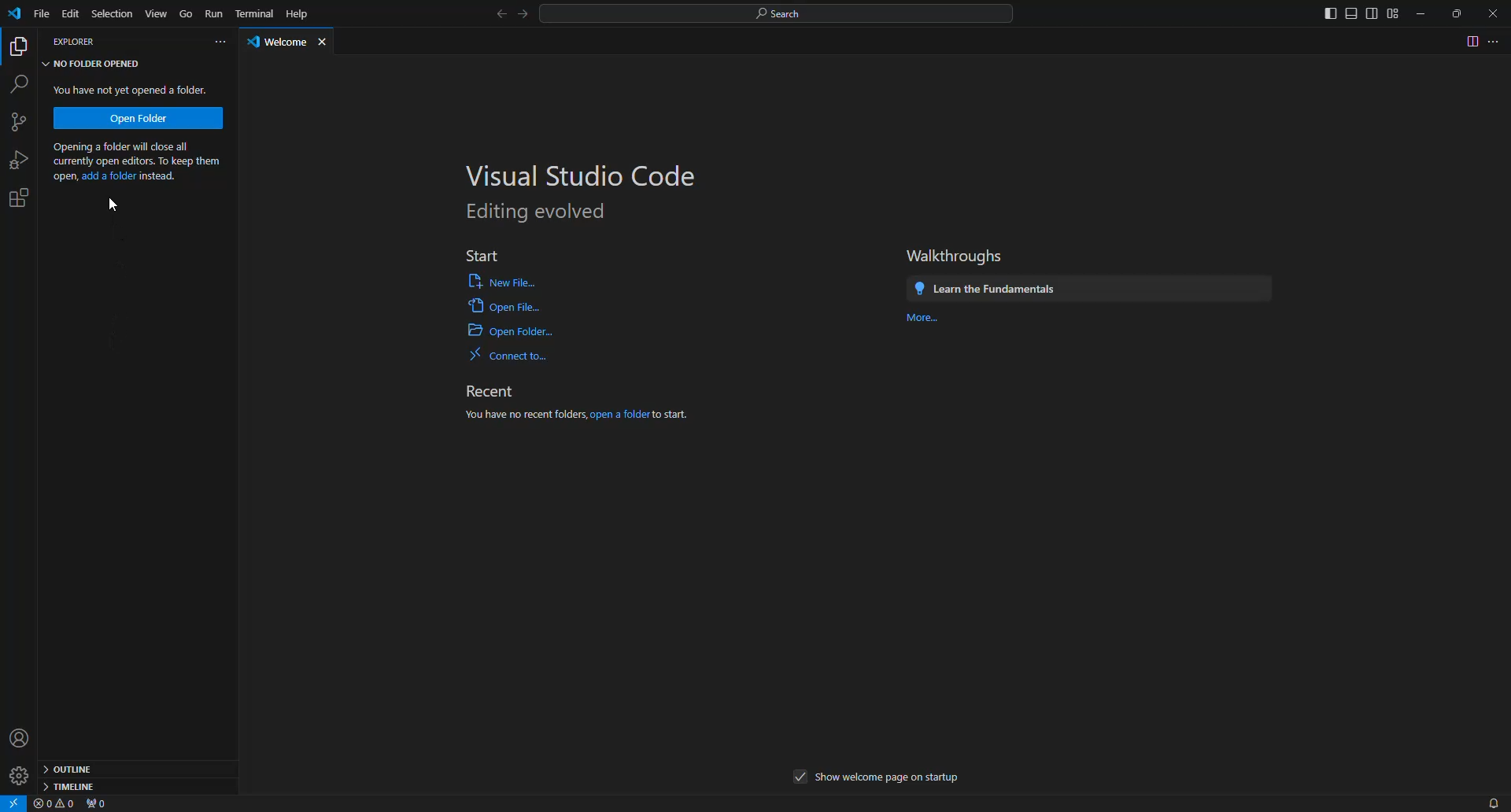 The height and width of the screenshot is (812, 1511). What do you see at coordinates (502, 280) in the screenshot?
I see `open file` at bounding box center [502, 280].